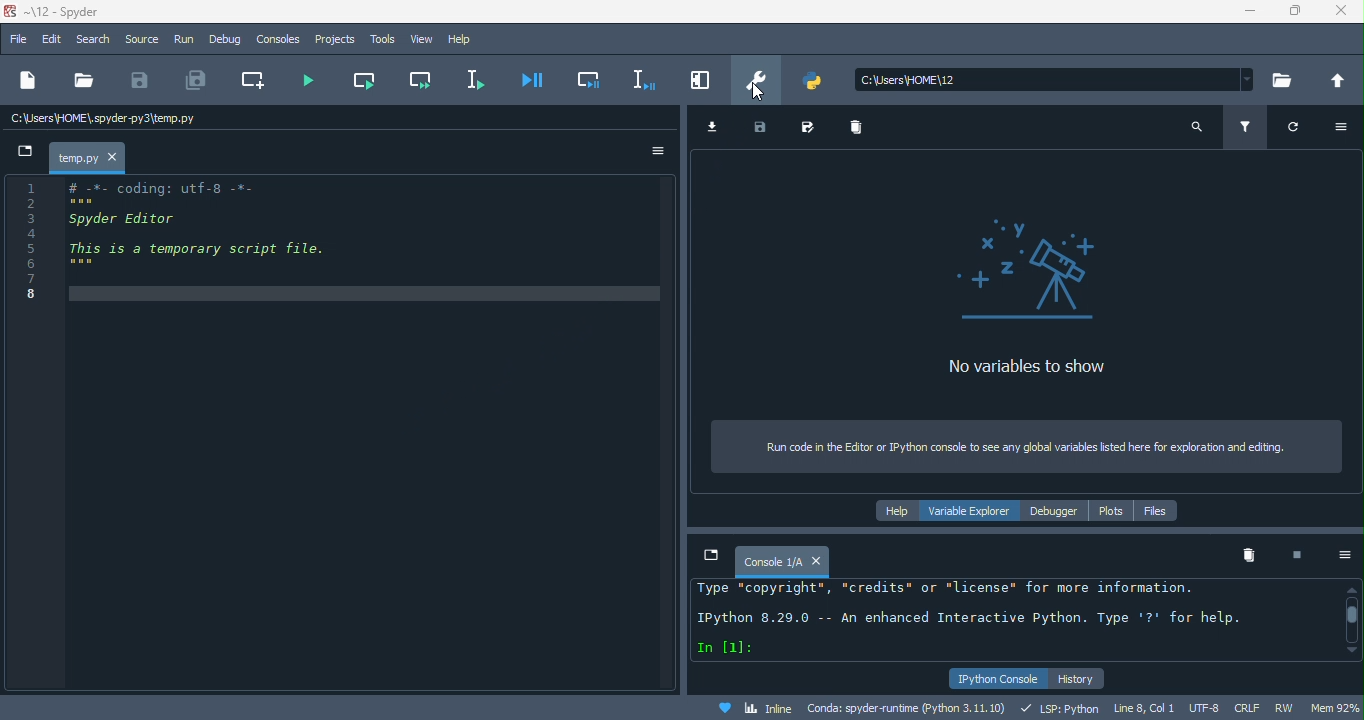 The height and width of the screenshot is (720, 1364). I want to click on run selection, so click(468, 81).